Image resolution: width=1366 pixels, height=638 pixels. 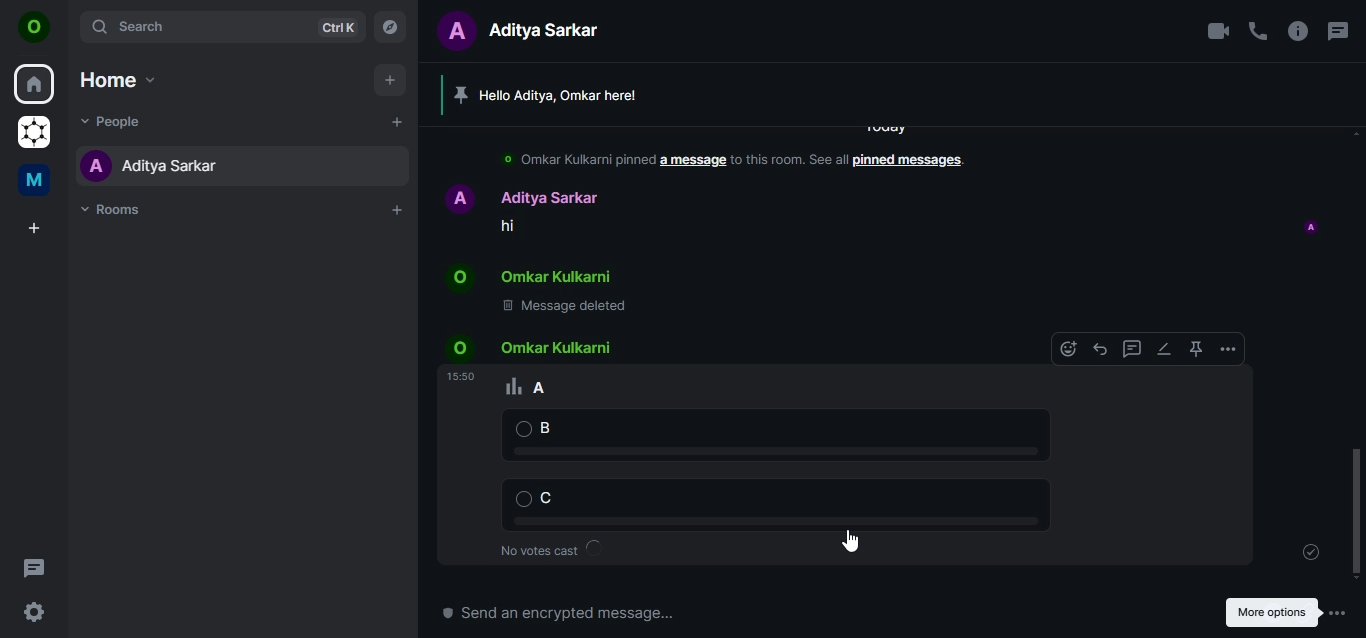 I want to click on explore rooms, so click(x=391, y=25).